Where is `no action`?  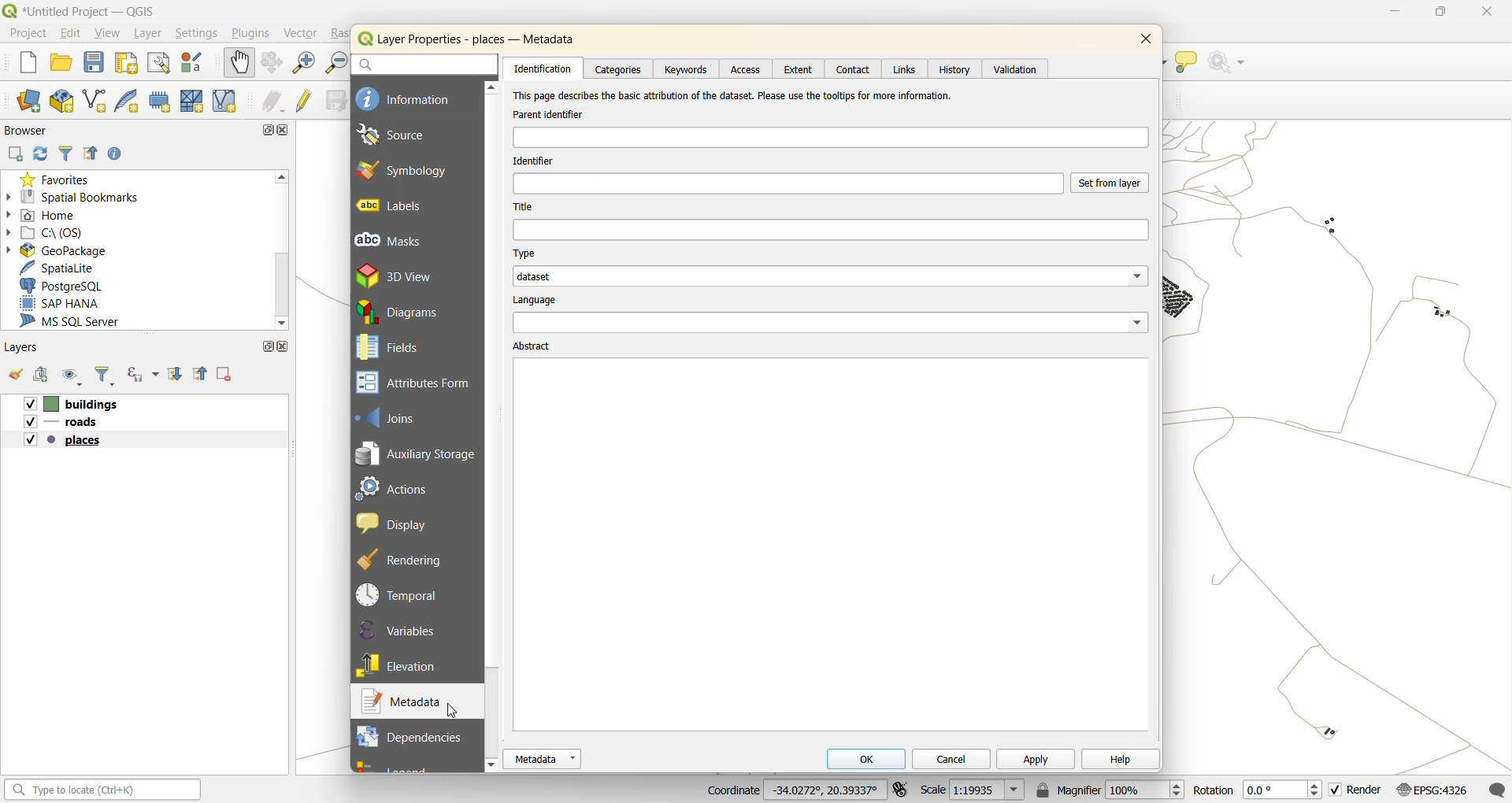
no action is located at coordinates (1228, 65).